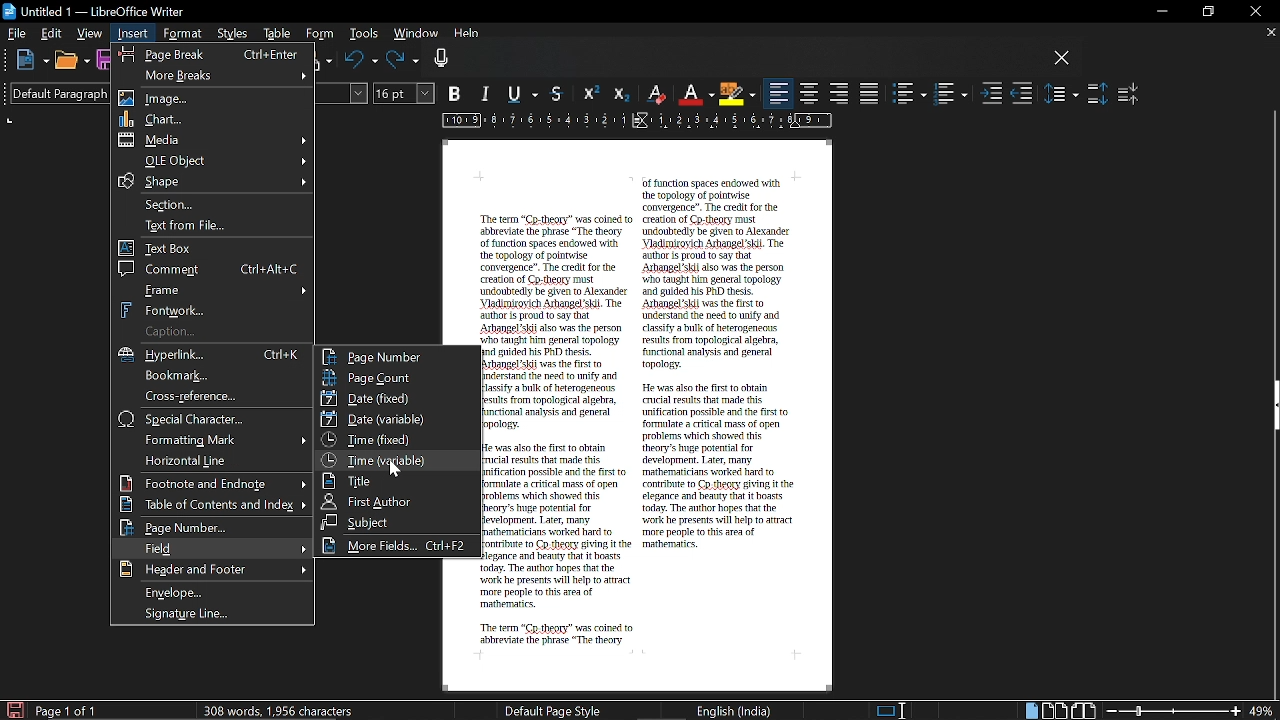 The image size is (1280, 720). I want to click on Decrease indent, so click(1022, 95).